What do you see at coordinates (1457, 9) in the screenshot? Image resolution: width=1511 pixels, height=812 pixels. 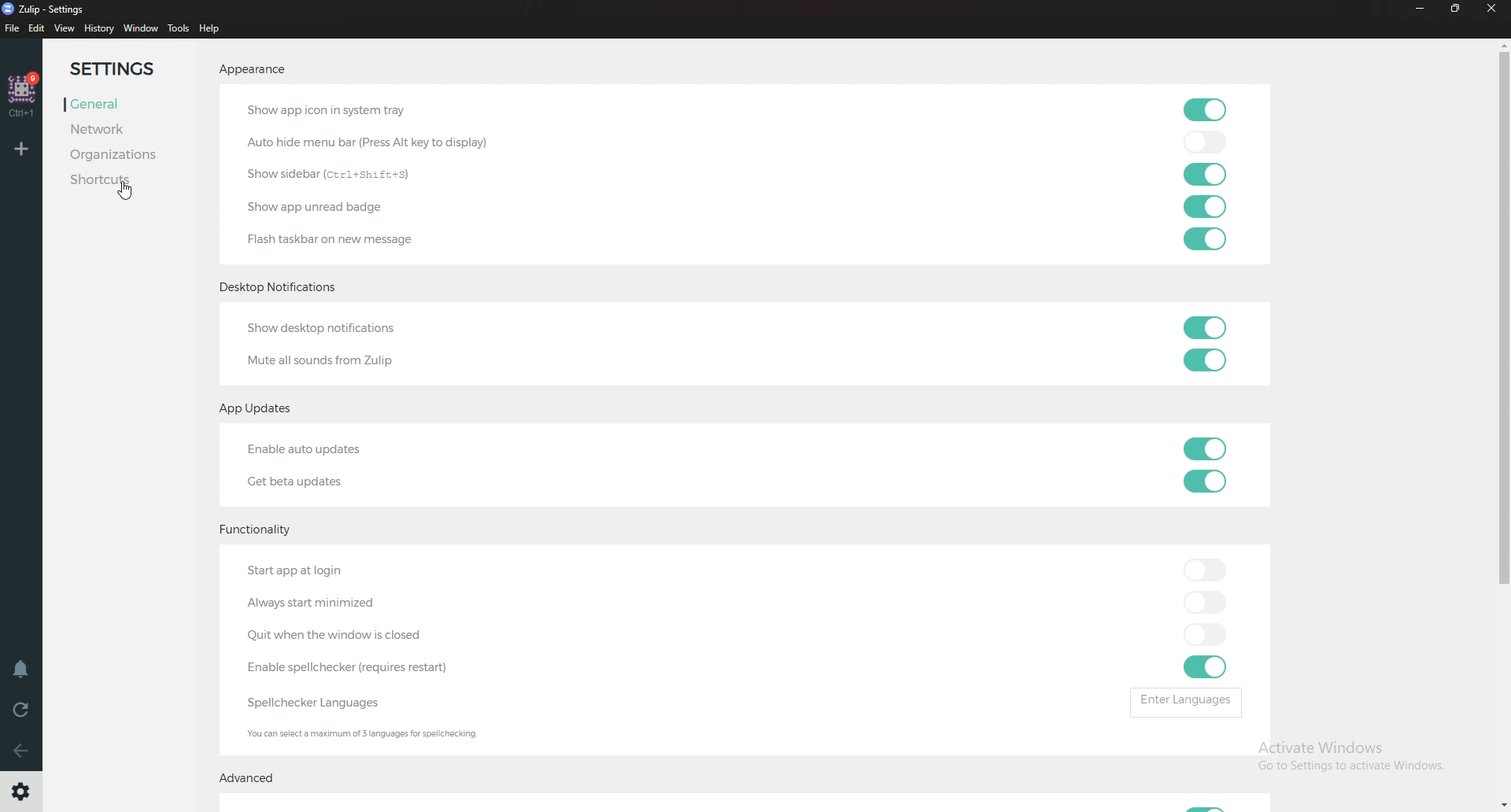 I see `Resize` at bounding box center [1457, 9].